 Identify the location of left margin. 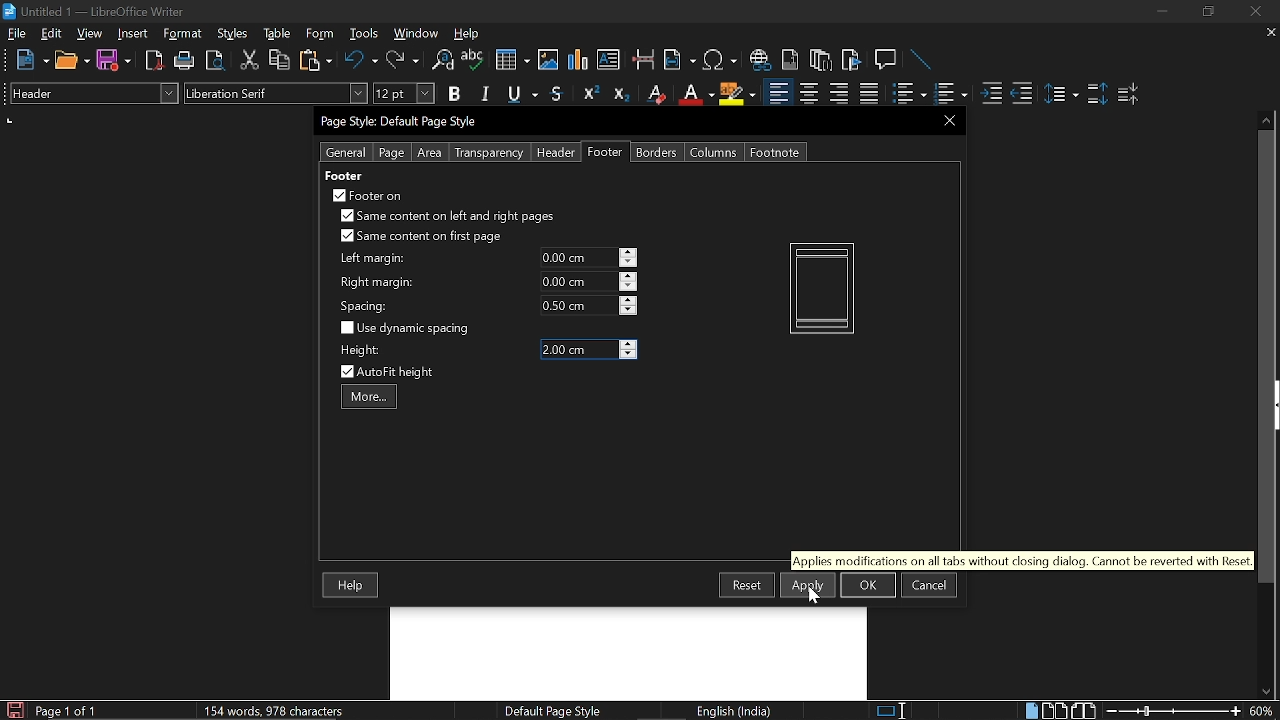
(370, 259).